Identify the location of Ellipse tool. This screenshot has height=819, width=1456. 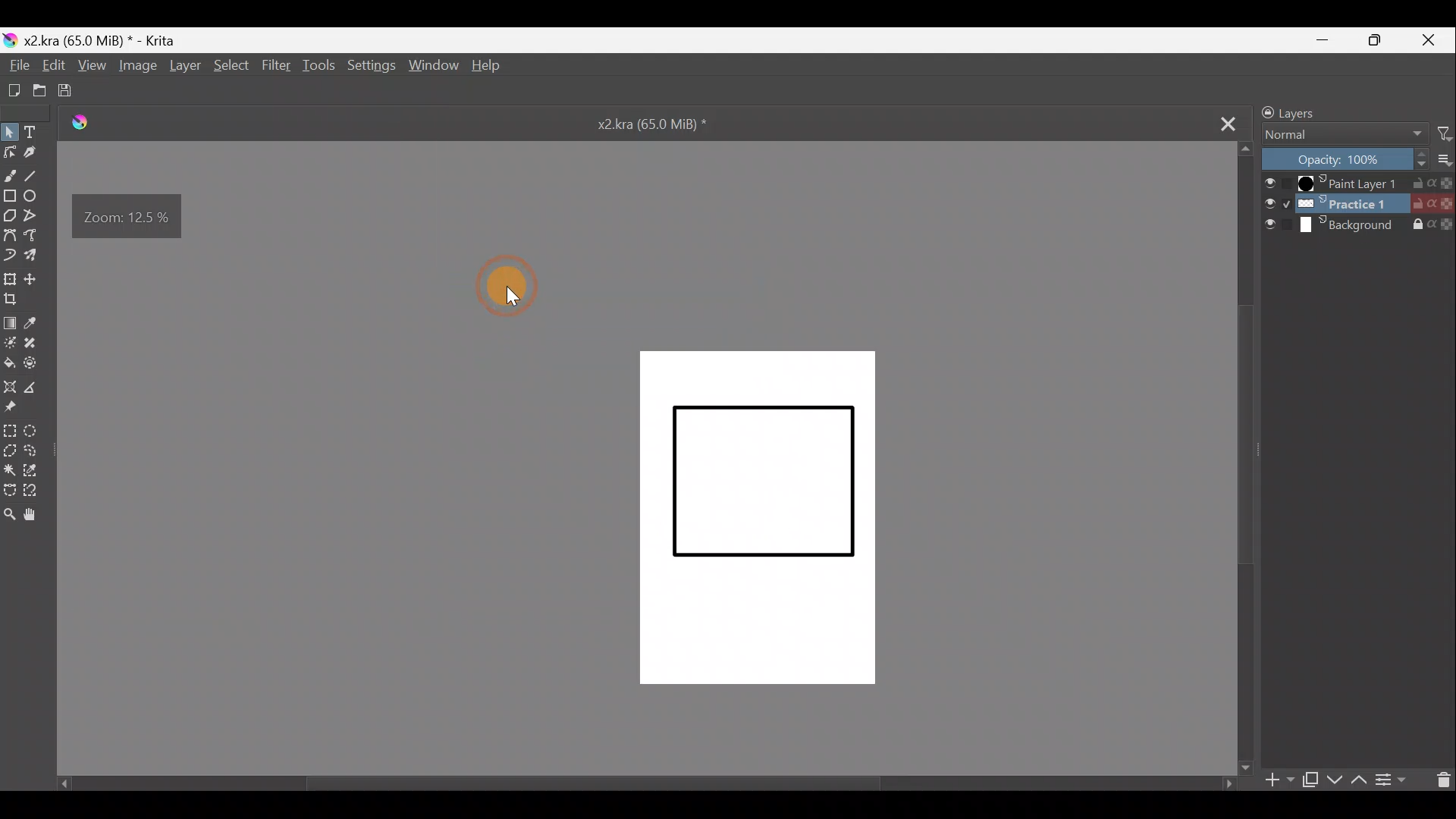
(35, 196).